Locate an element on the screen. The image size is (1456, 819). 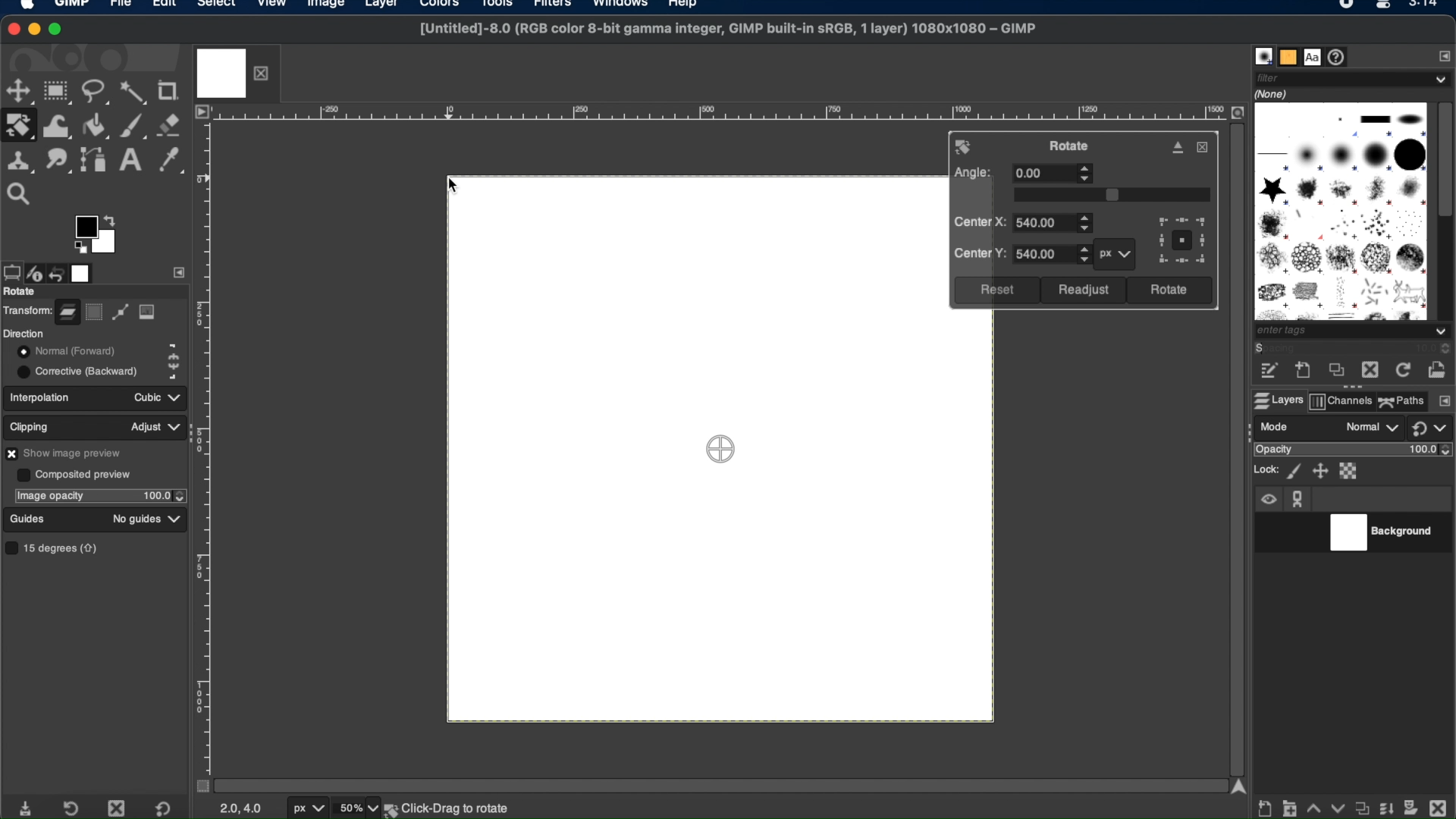
normal forward is located at coordinates (174, 349).